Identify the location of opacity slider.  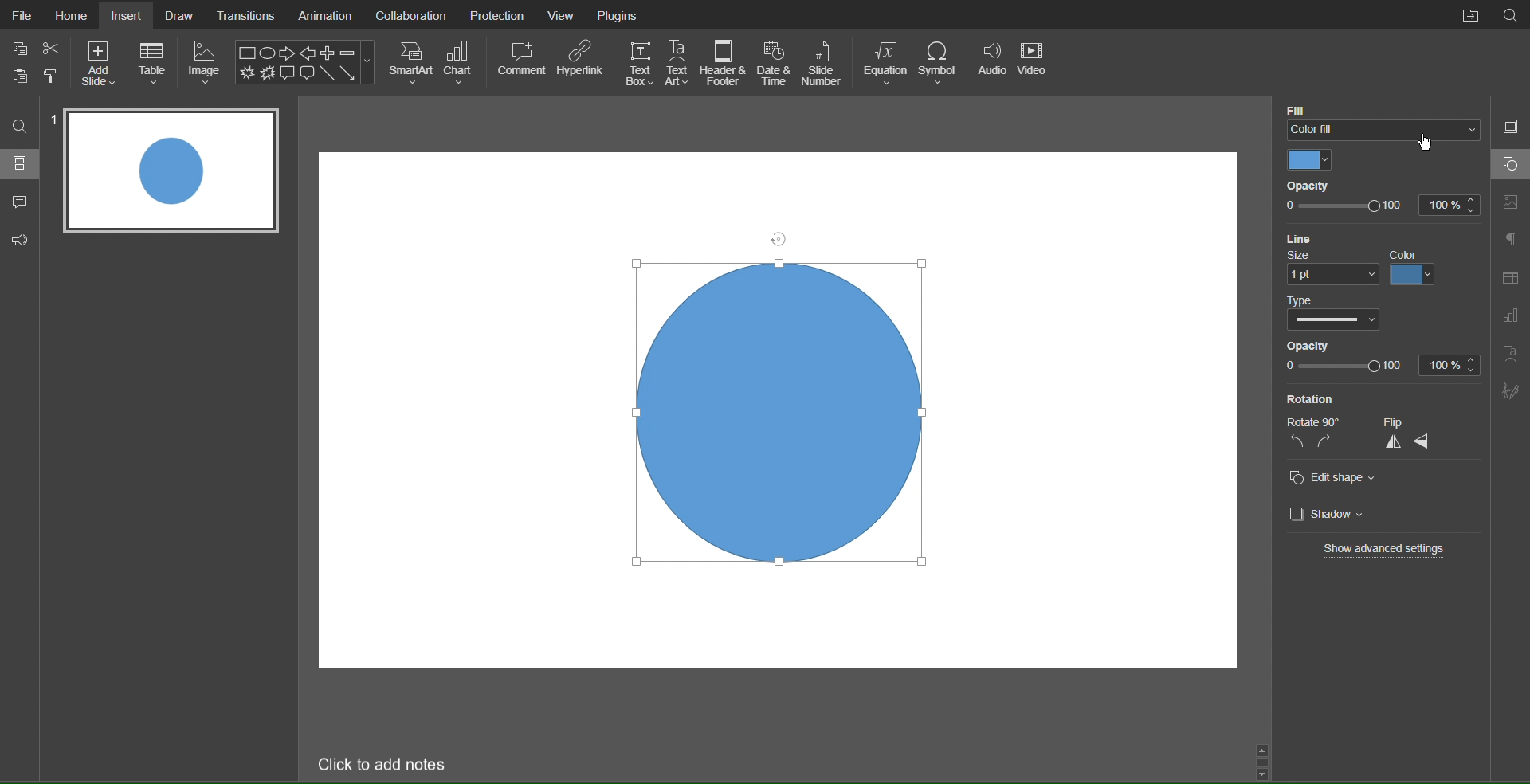
(1342, 366).